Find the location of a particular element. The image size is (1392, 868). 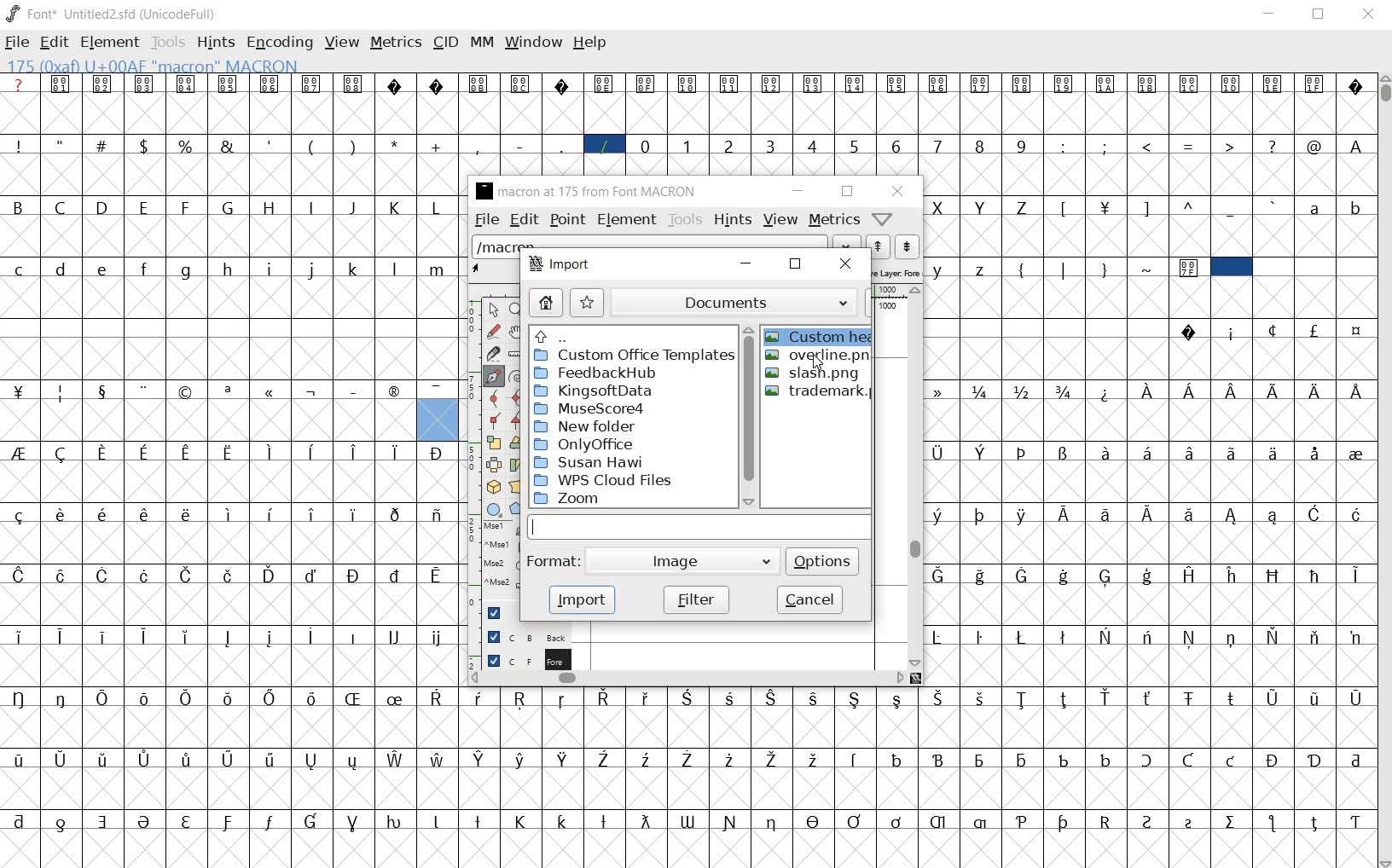

Symbol is located at coordinates (525, 698).